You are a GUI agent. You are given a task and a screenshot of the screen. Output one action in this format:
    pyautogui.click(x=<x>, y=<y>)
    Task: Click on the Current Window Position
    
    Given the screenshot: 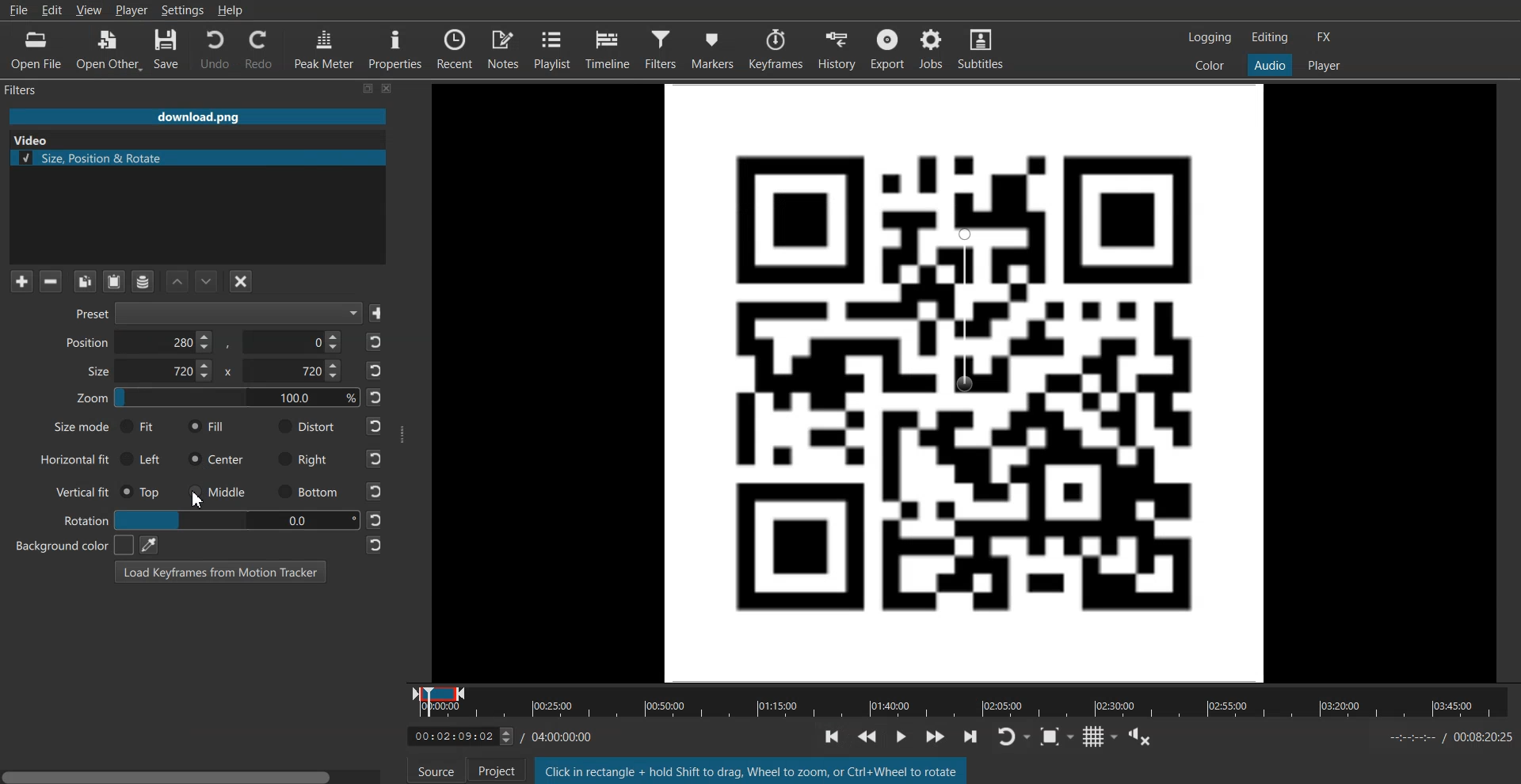 What is the action you would take?
    pyautogui.click(x=439, y=690)
    